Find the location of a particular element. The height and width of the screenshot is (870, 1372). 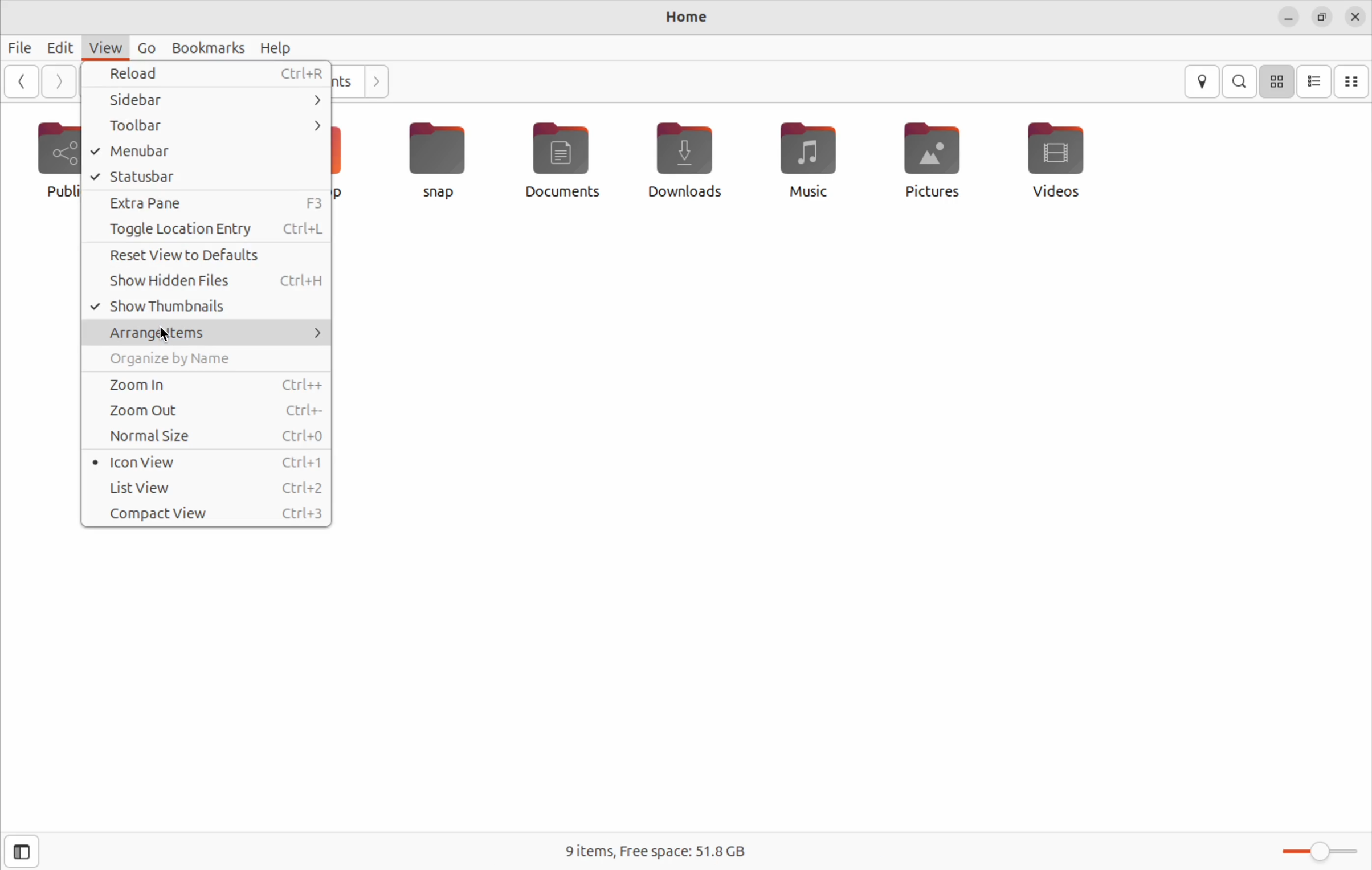

Show thumb nails is located at coordinates (208, 306).